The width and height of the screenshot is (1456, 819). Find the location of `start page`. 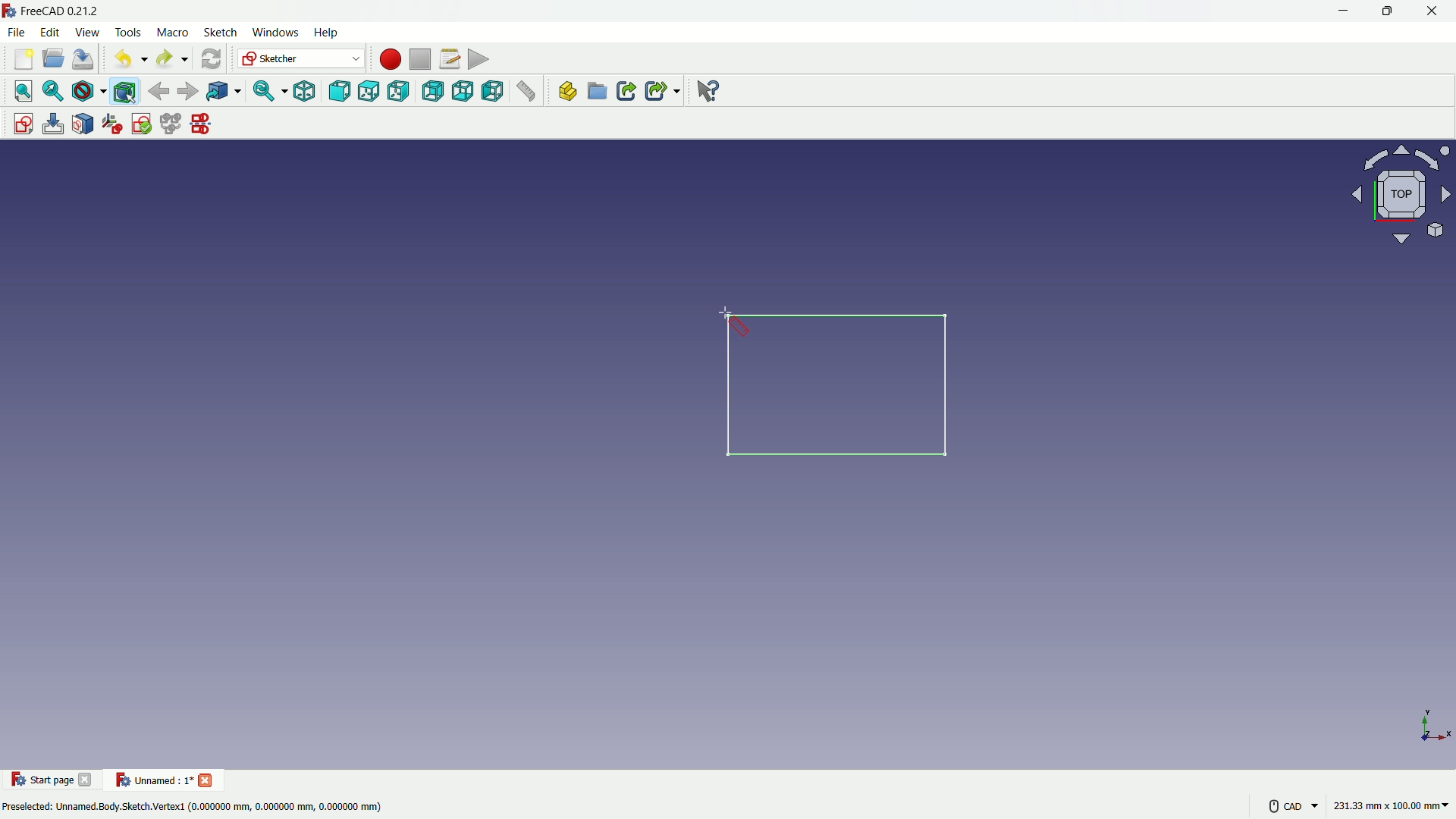

start page is located at coordinates (42, 780).